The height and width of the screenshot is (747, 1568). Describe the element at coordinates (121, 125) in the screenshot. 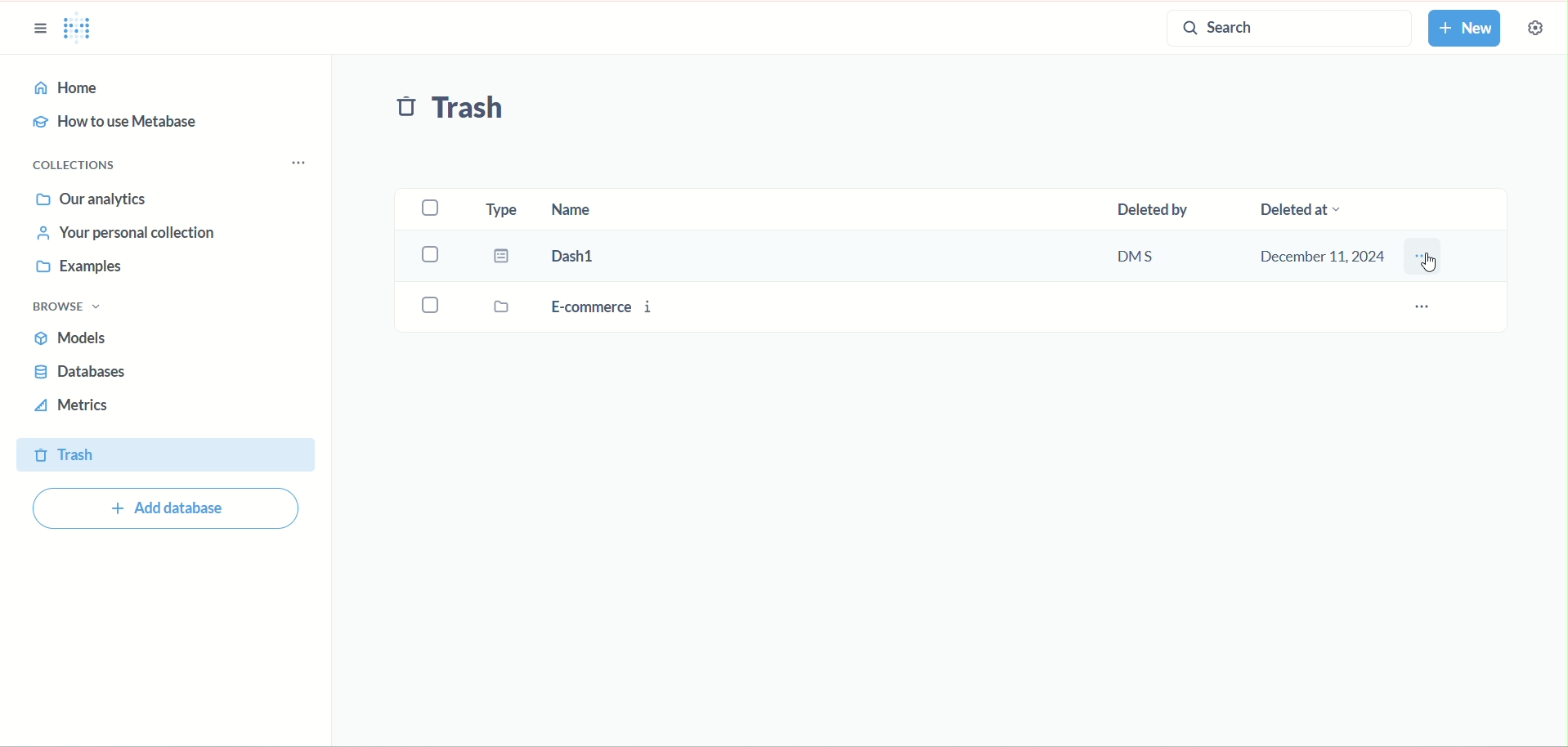

I see `how to use metabase` at that location.